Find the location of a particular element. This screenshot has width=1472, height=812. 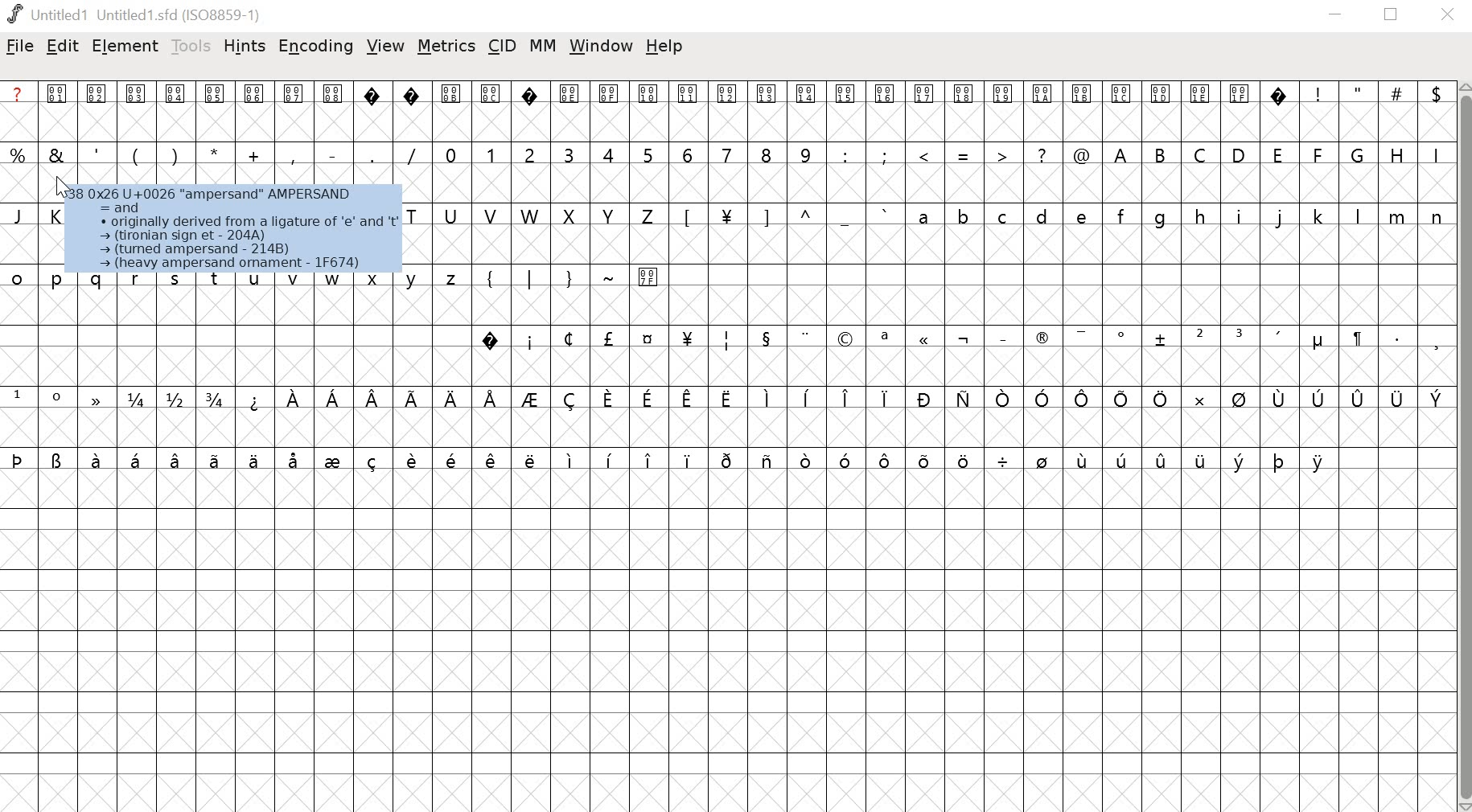

0013 is located at coordinates (769, 112).